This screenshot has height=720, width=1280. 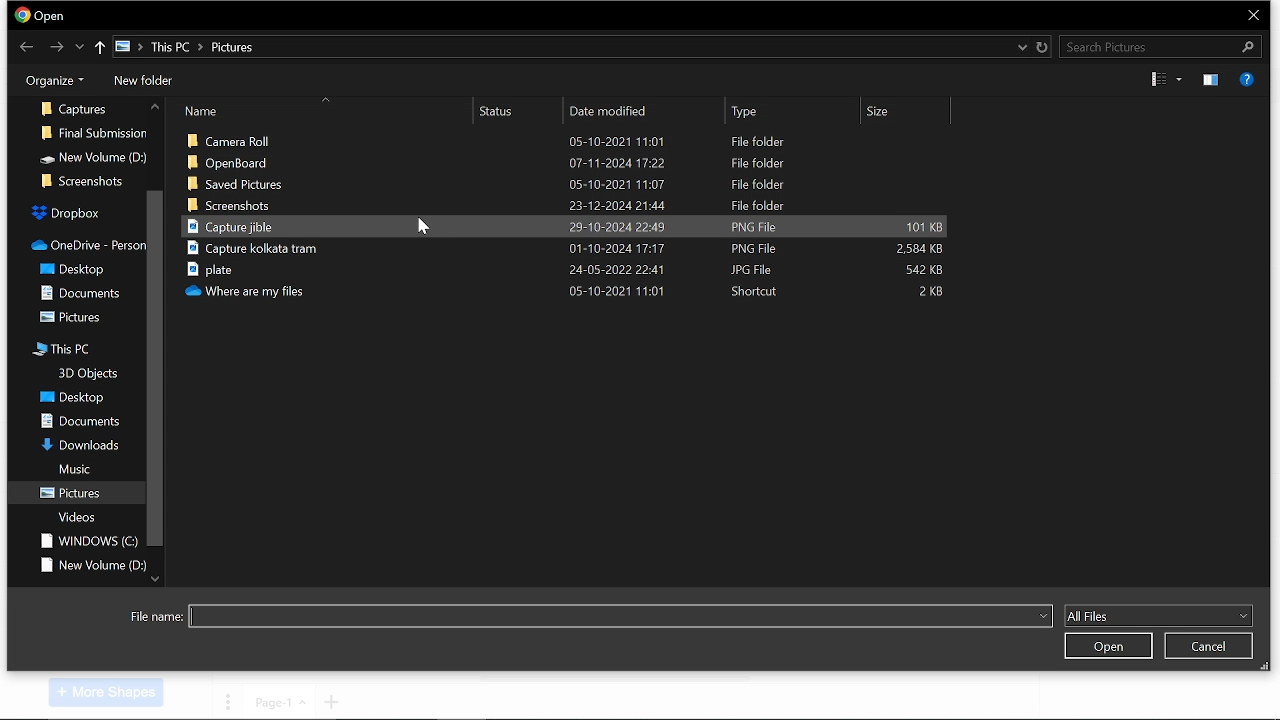 What do you see at coordinates (568, 163) in the screenshot?
I see `files` at bounding box center [568, 163].